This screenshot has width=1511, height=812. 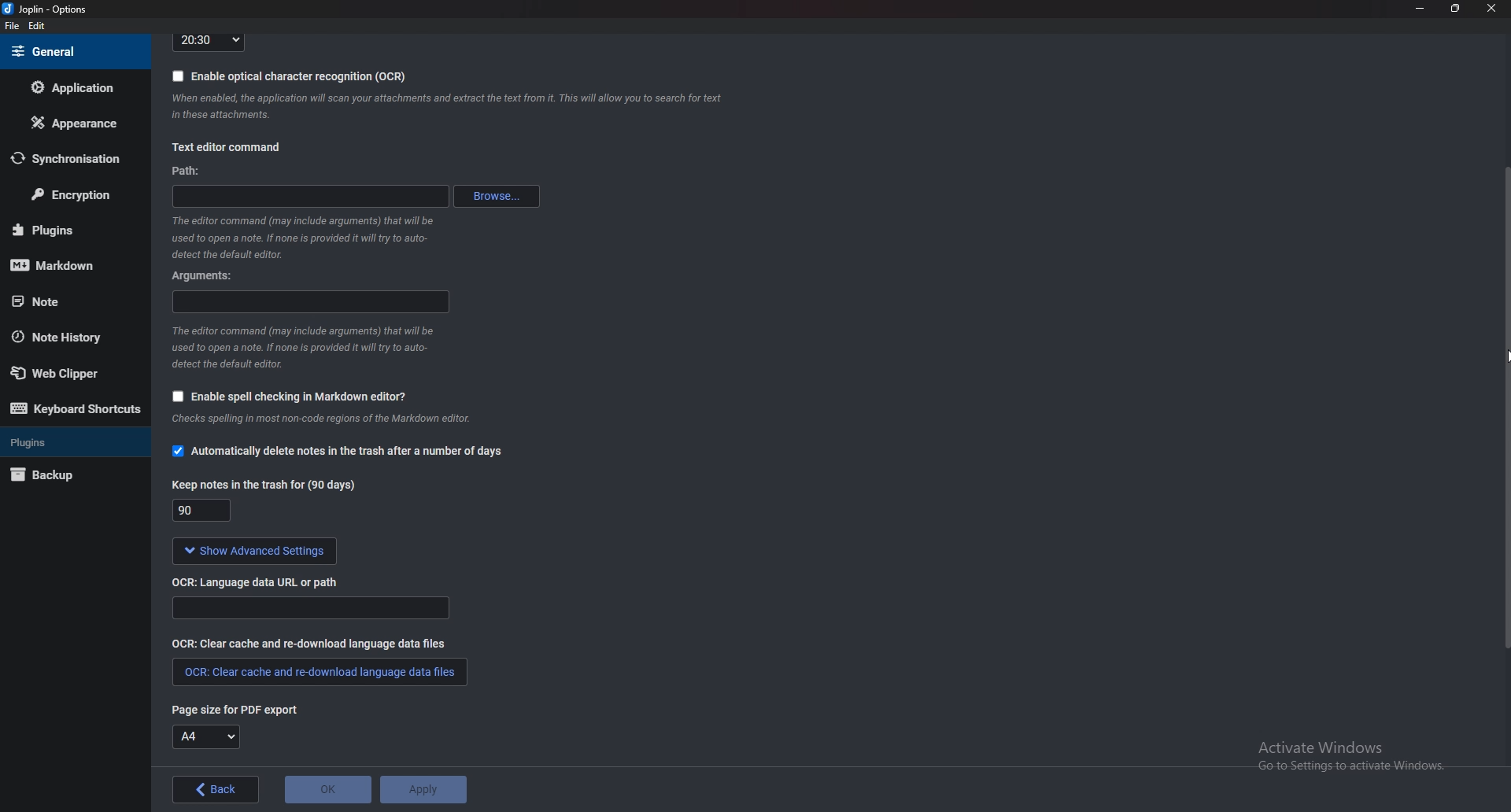 What do you see at coordinates (302, 347) in the screenshot?
I see `Info on editor command` at bounding box center [302, 347].